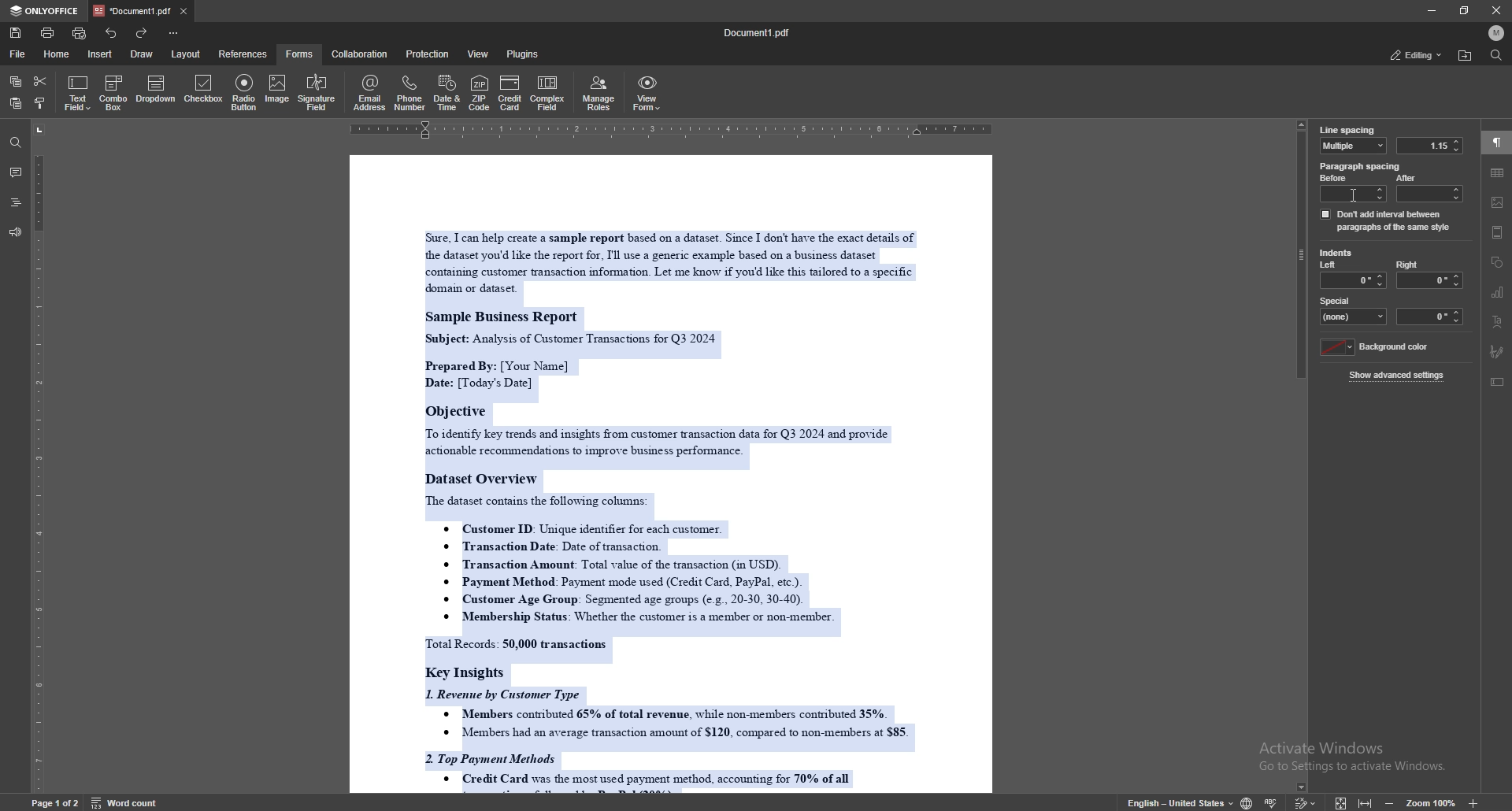  What do you see at coordinates (480, 54) in the screenshot?
I see `view` at bounding box center [480, 54].